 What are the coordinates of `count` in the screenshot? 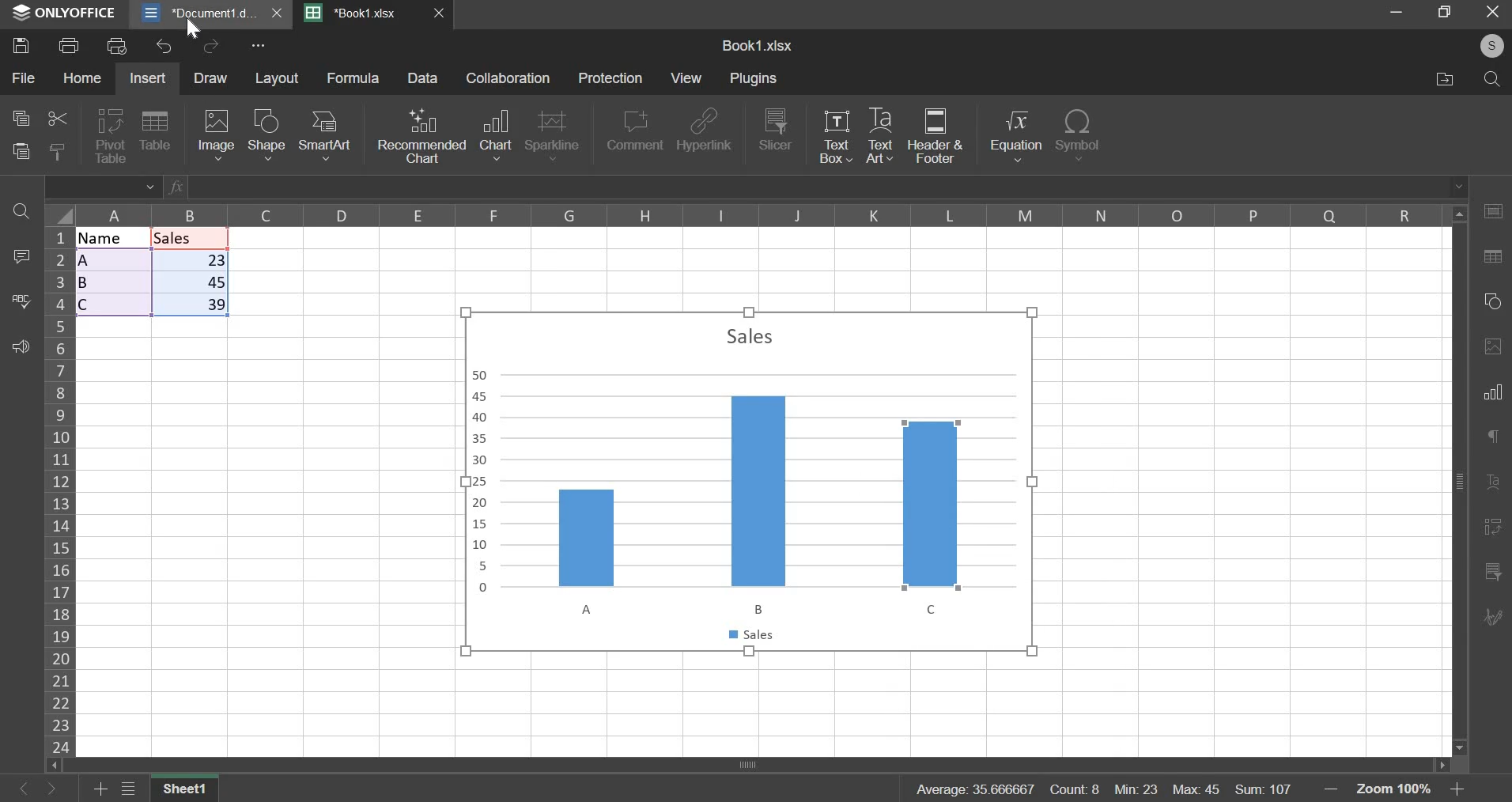 It's located at (1075, 787).